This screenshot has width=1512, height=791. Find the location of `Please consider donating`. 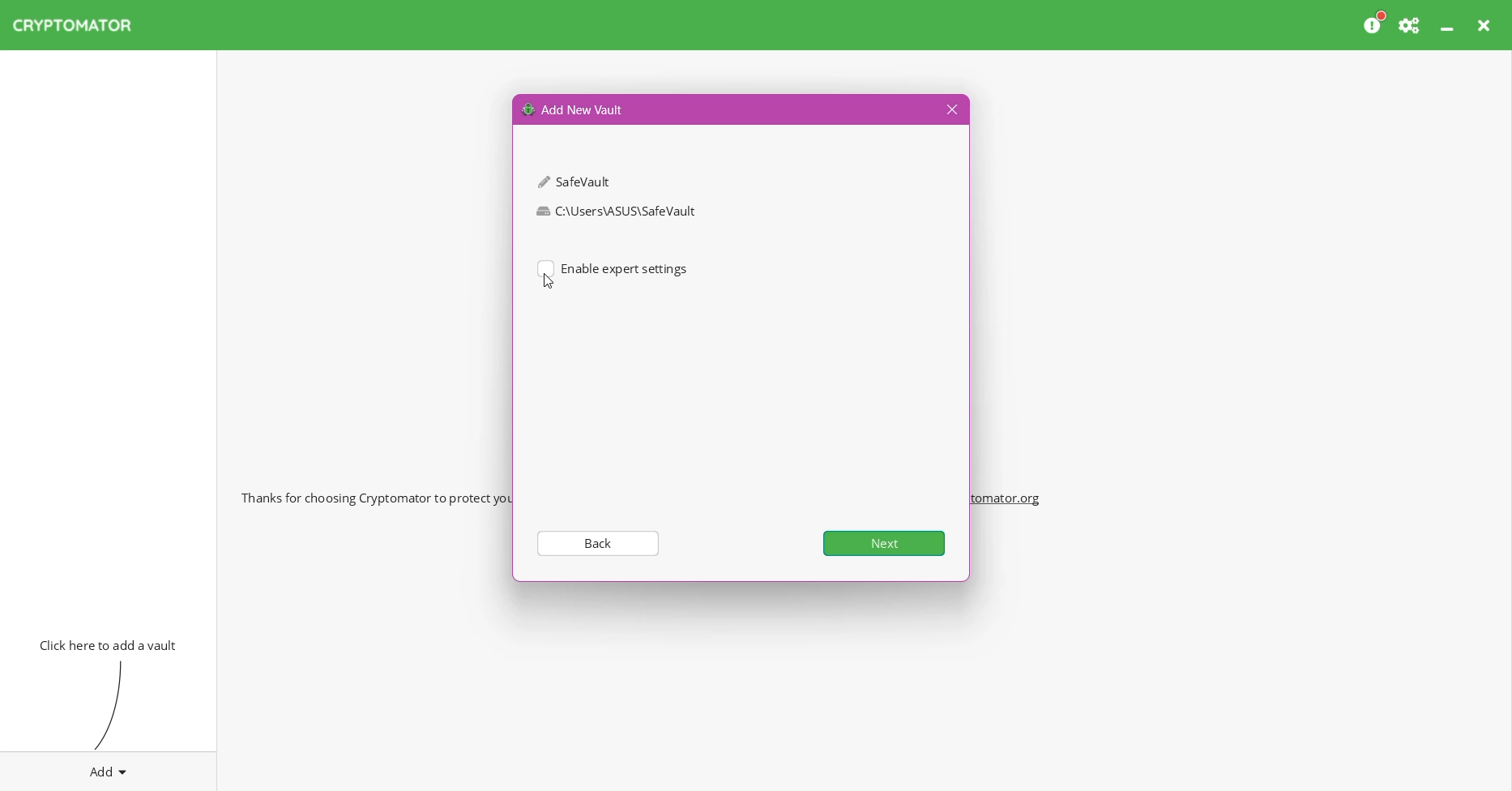

Please consider donating is located at coordinates (1375, 24).